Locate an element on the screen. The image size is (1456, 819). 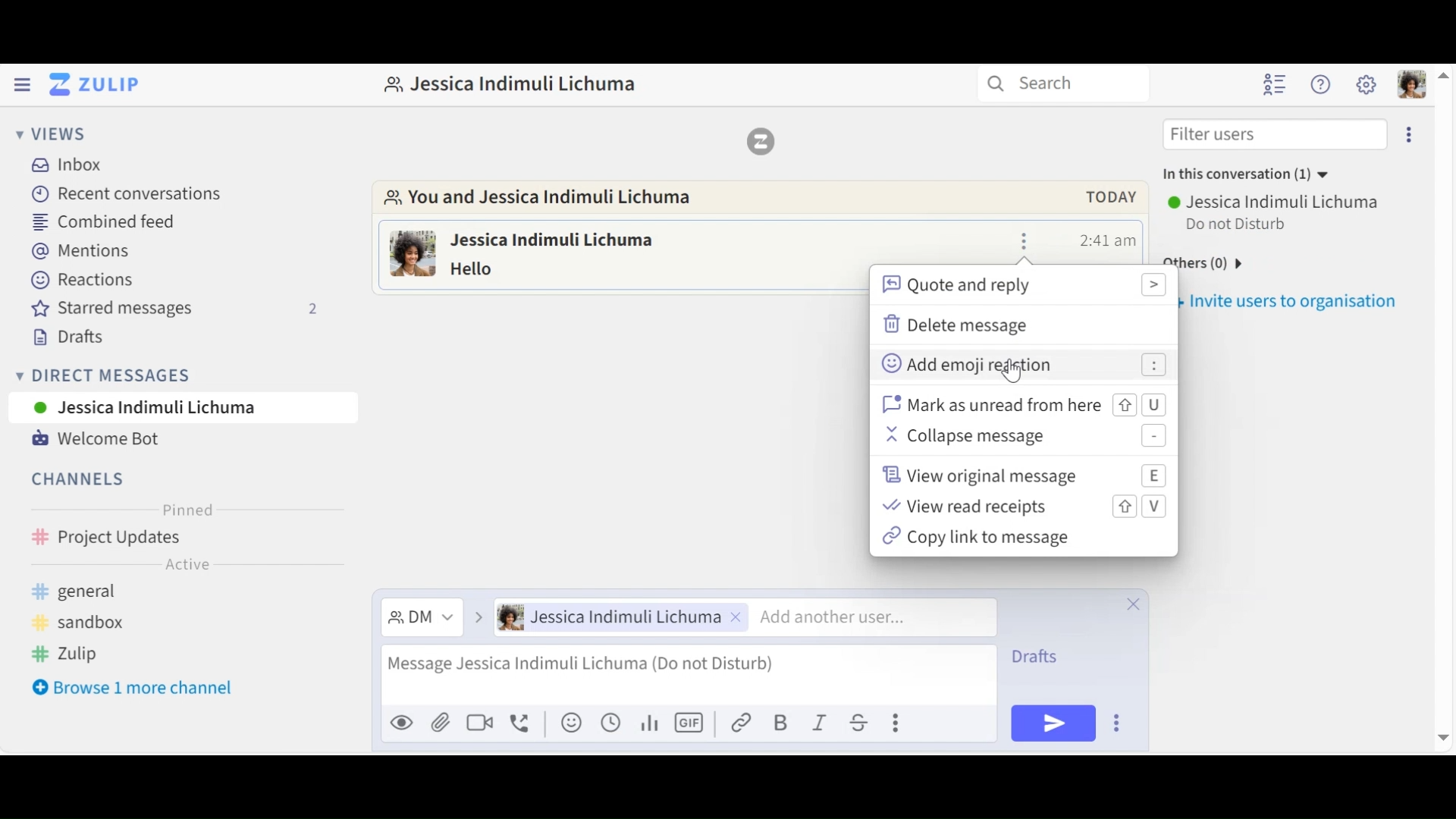
User is located at coordinates (1276, 202).